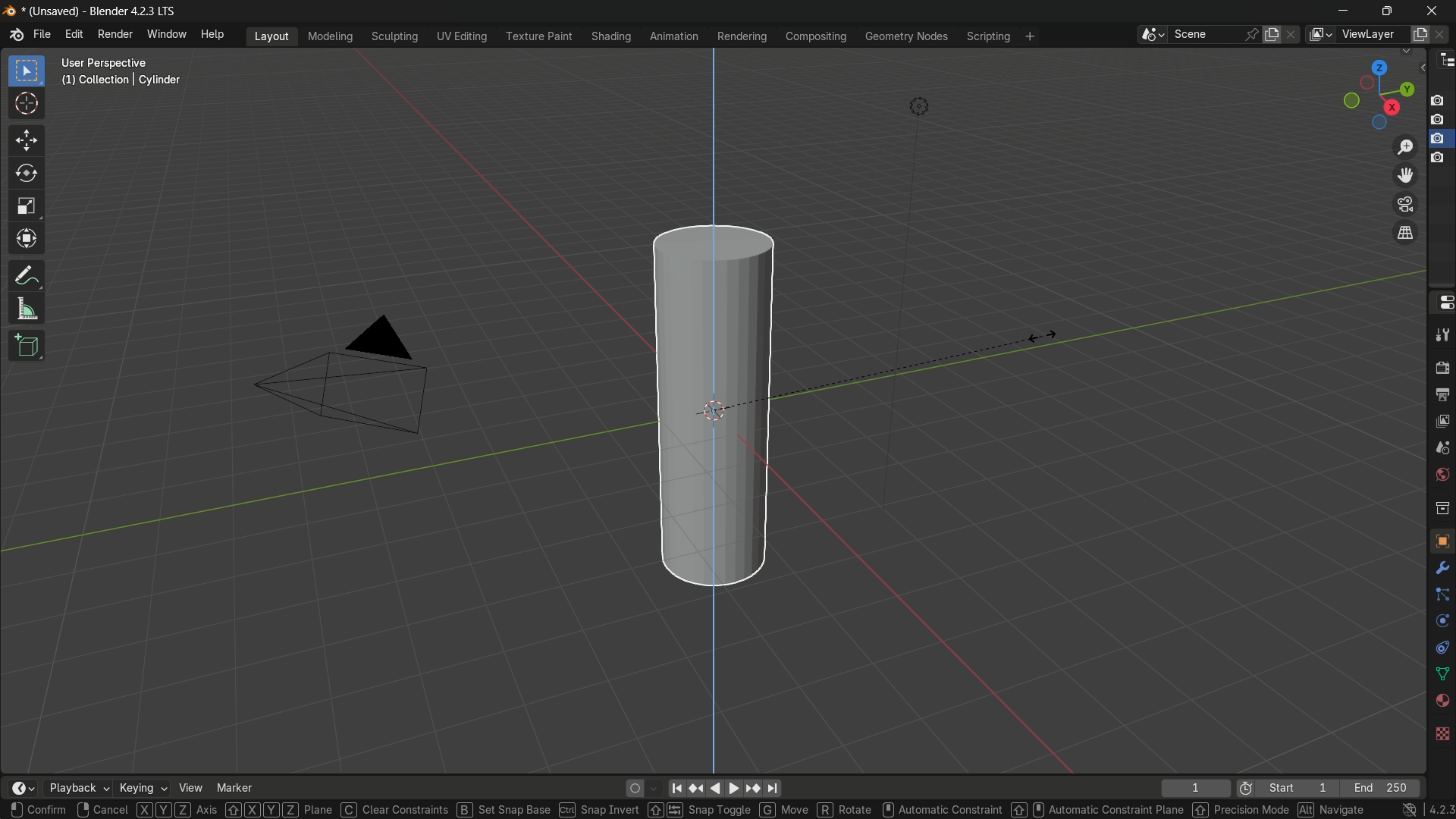  Describe the element at coordinates (27, 242) in the screenshot. I see `transform` at that location.